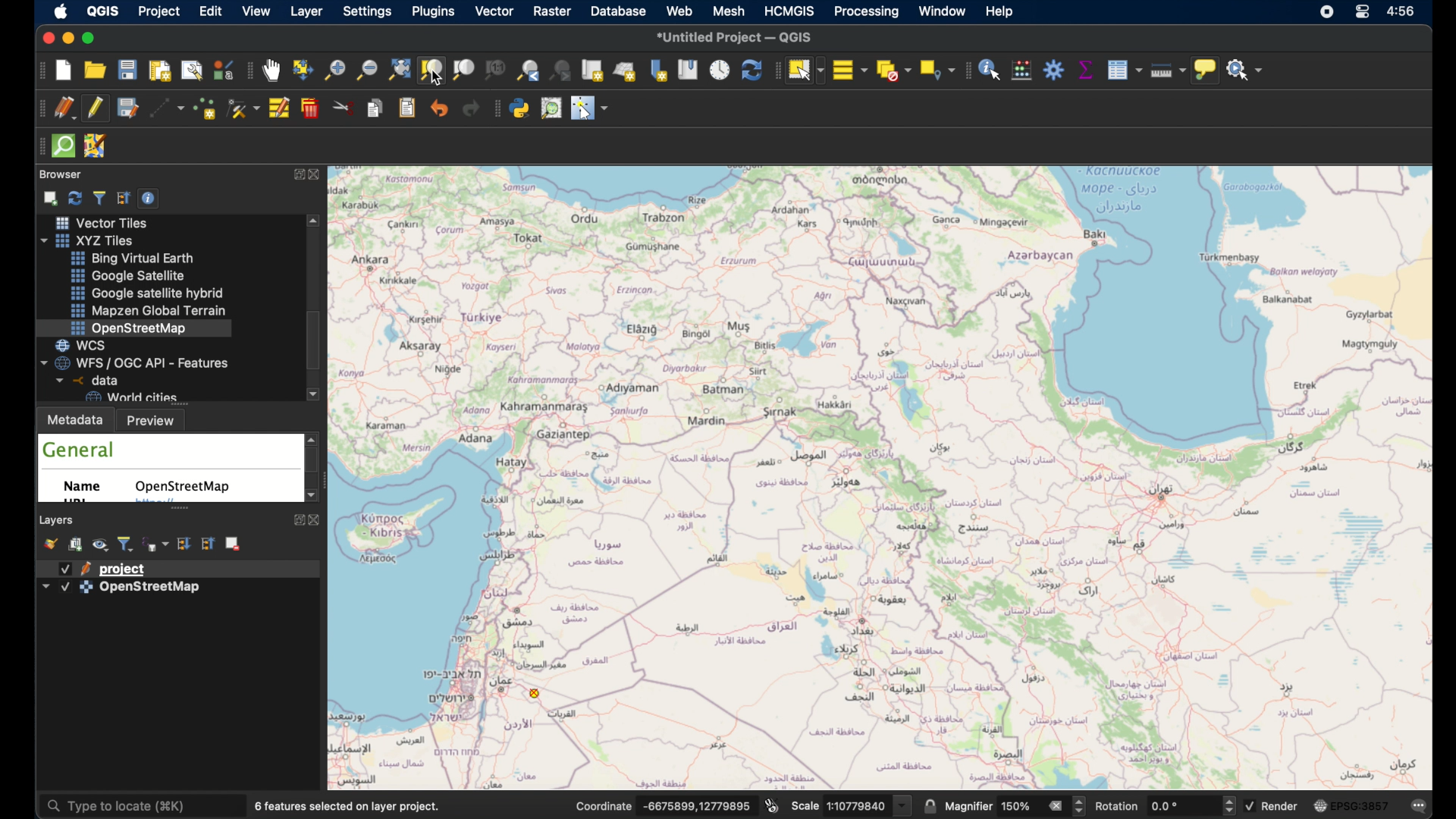  I want to click on Increase or decrease magnifier, so click(1081, 806).